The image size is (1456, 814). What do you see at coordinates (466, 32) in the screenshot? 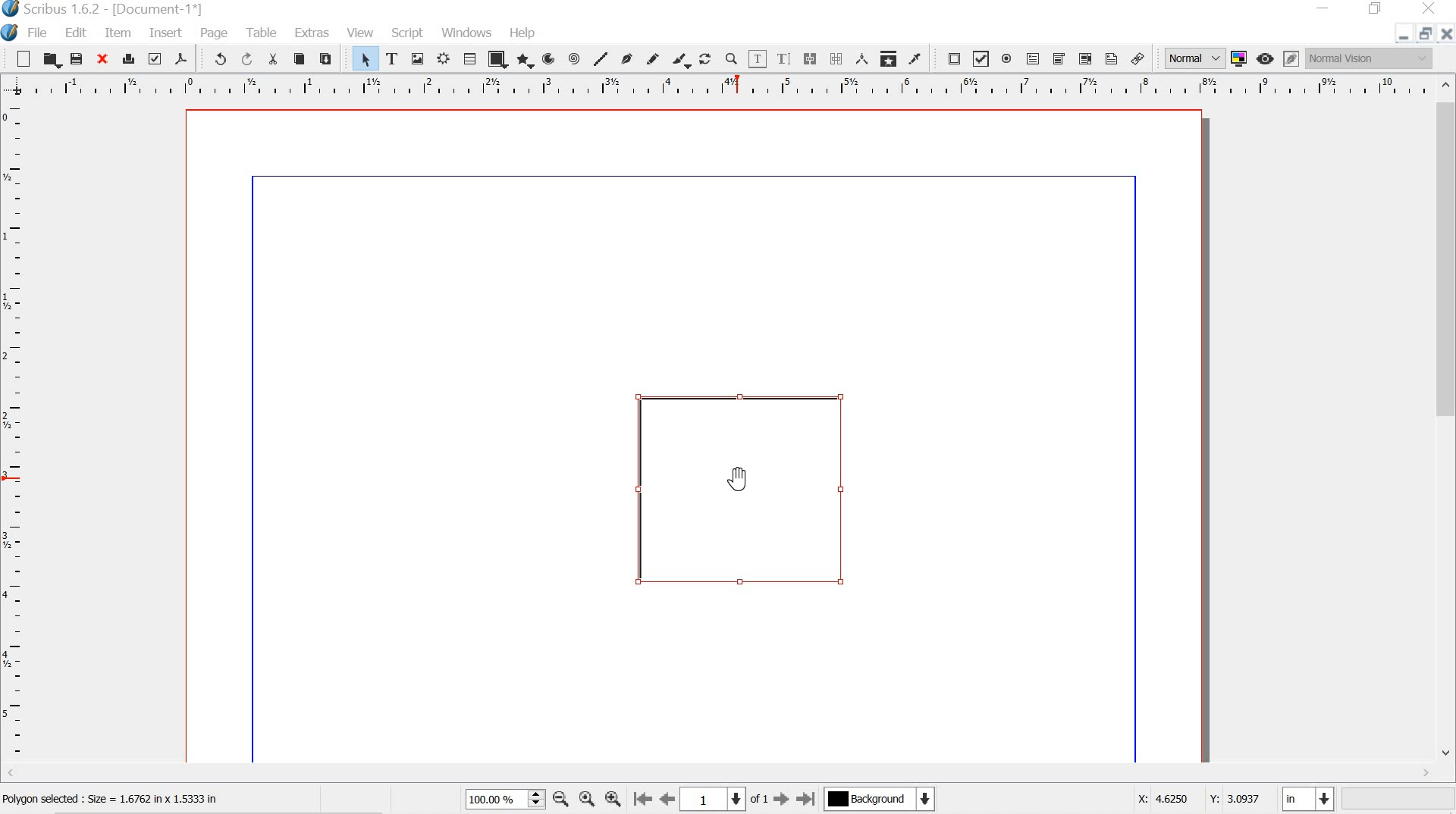
I see `WINDOWS` at bounding box center [466, 32].